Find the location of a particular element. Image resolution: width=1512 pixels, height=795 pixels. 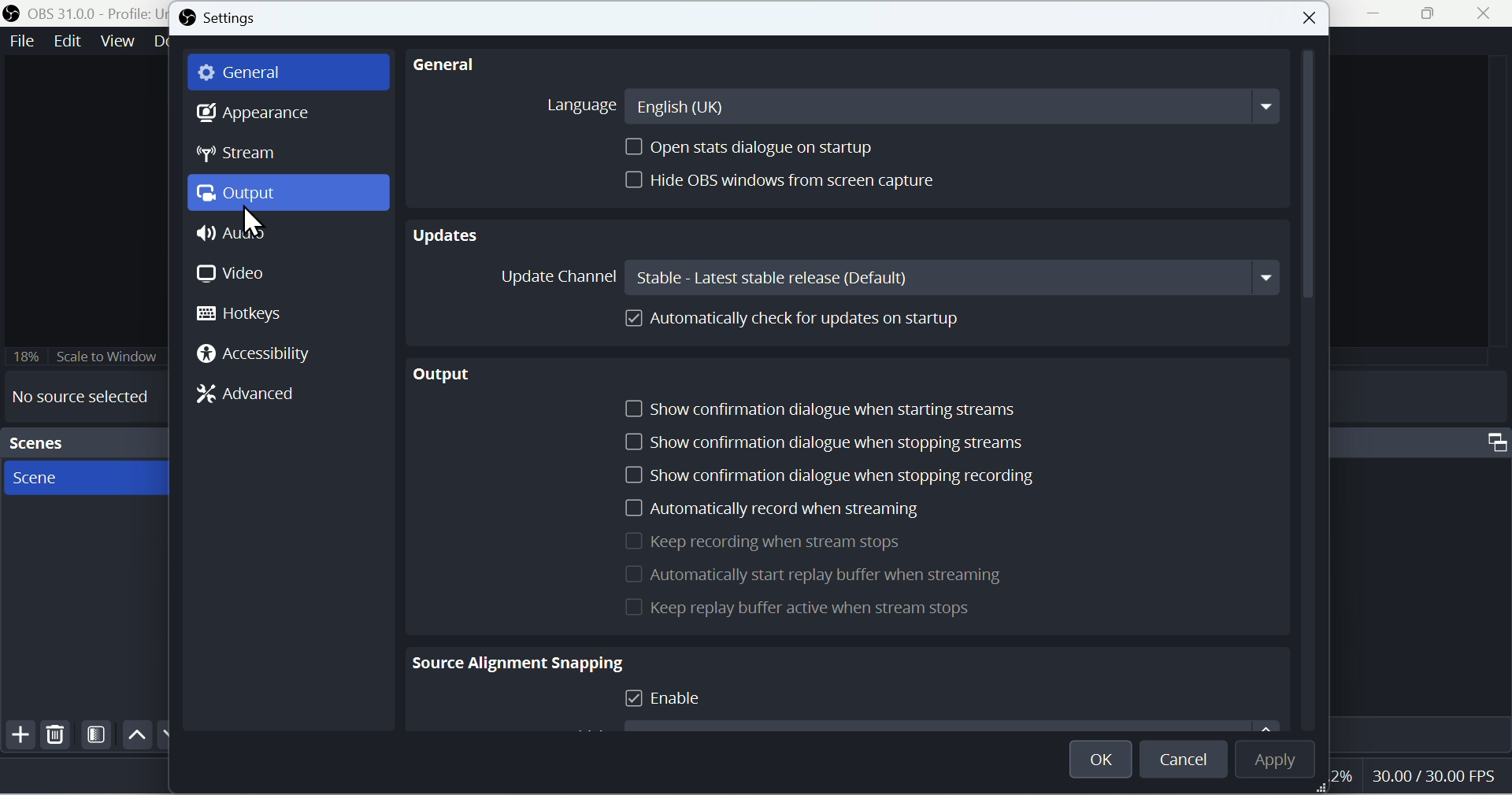

J Show confirmation dialogue when stopping streams is located at coordinates (827, 441).